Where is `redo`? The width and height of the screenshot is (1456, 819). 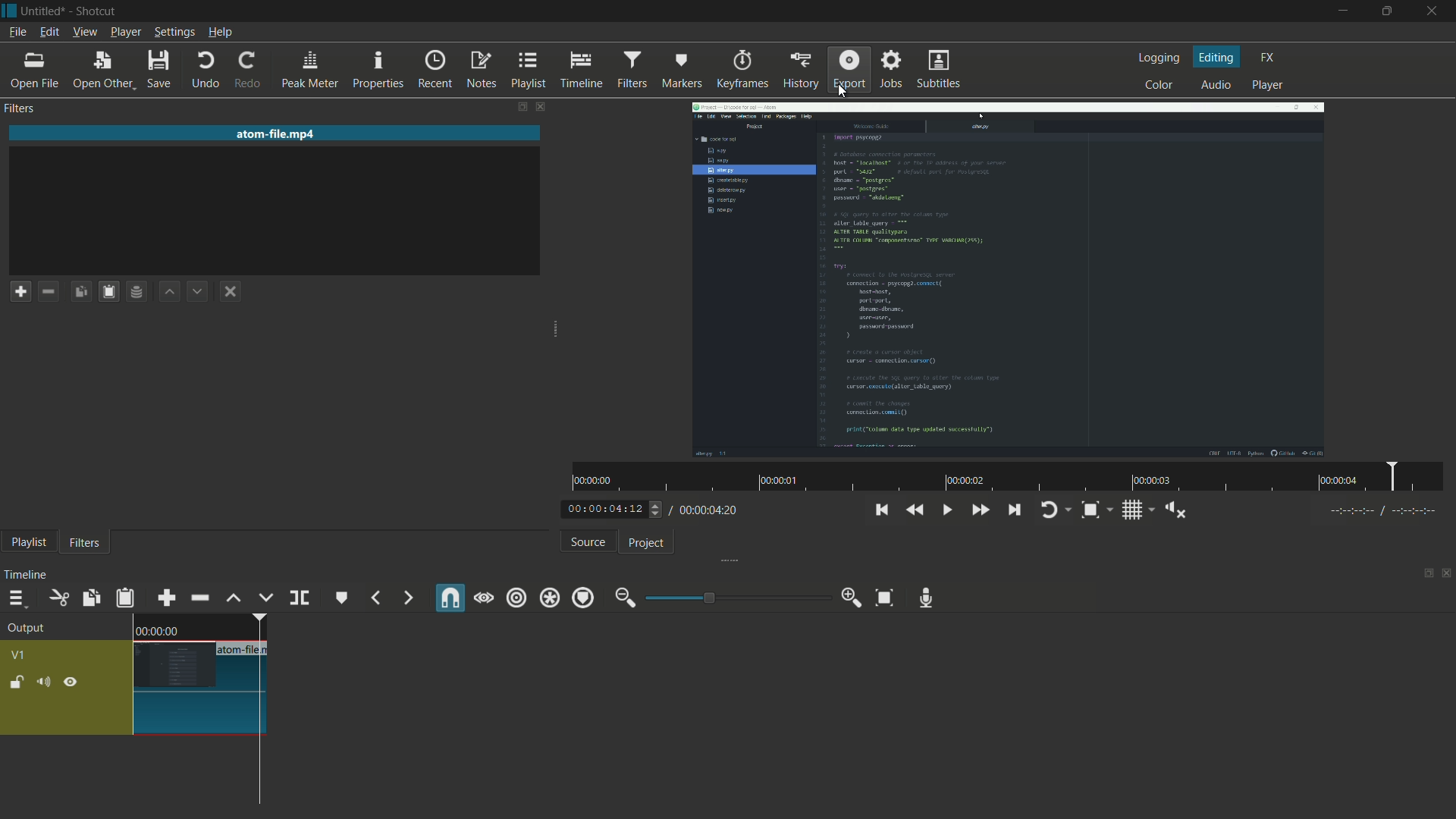
redo is located at coordinates (252, 71).